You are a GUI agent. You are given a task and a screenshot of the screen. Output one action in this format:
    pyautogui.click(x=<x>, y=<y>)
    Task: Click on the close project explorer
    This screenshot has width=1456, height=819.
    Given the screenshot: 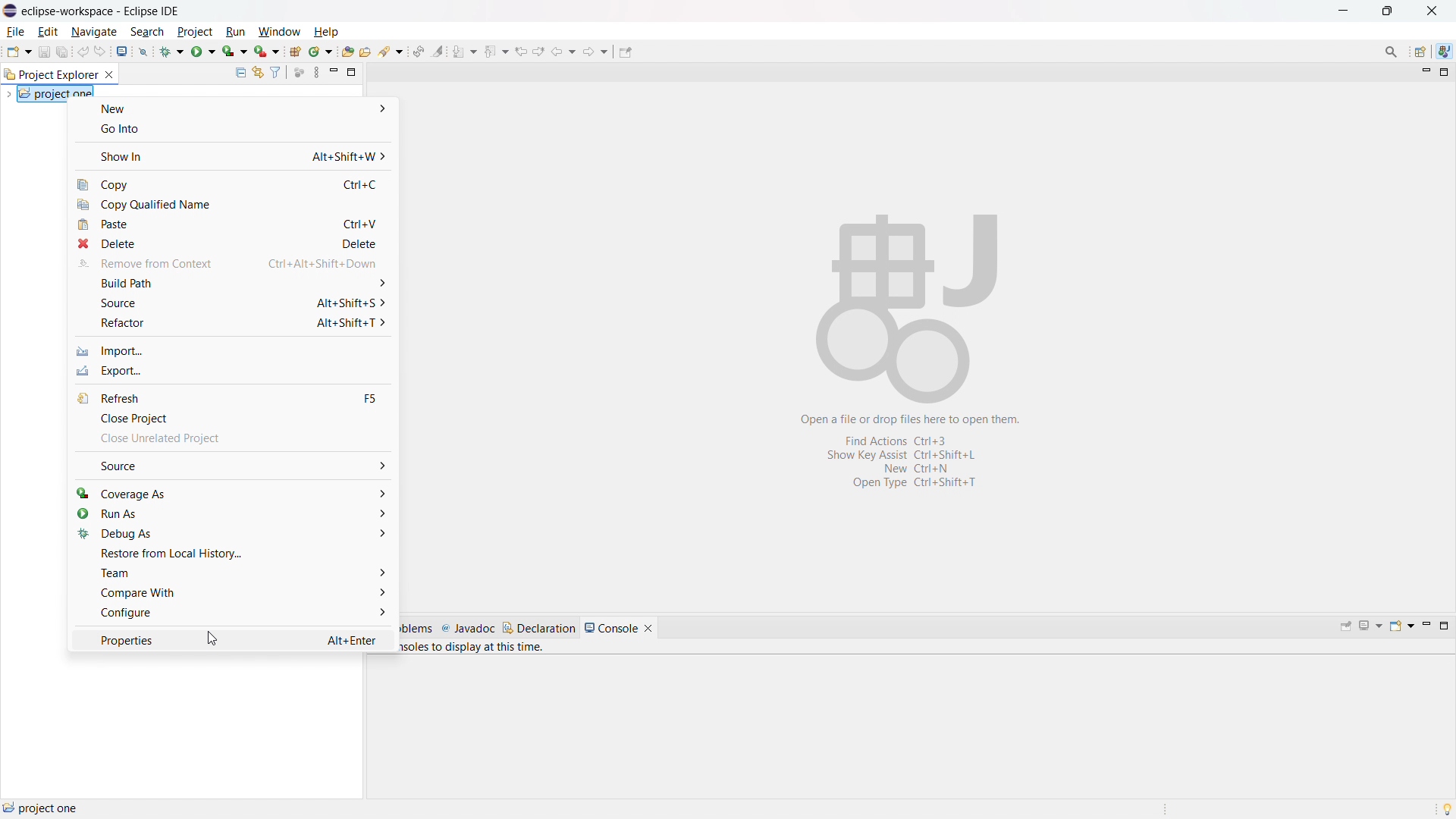 What is the action you would take?
    pyautogui.click(x=109, y=75)
    